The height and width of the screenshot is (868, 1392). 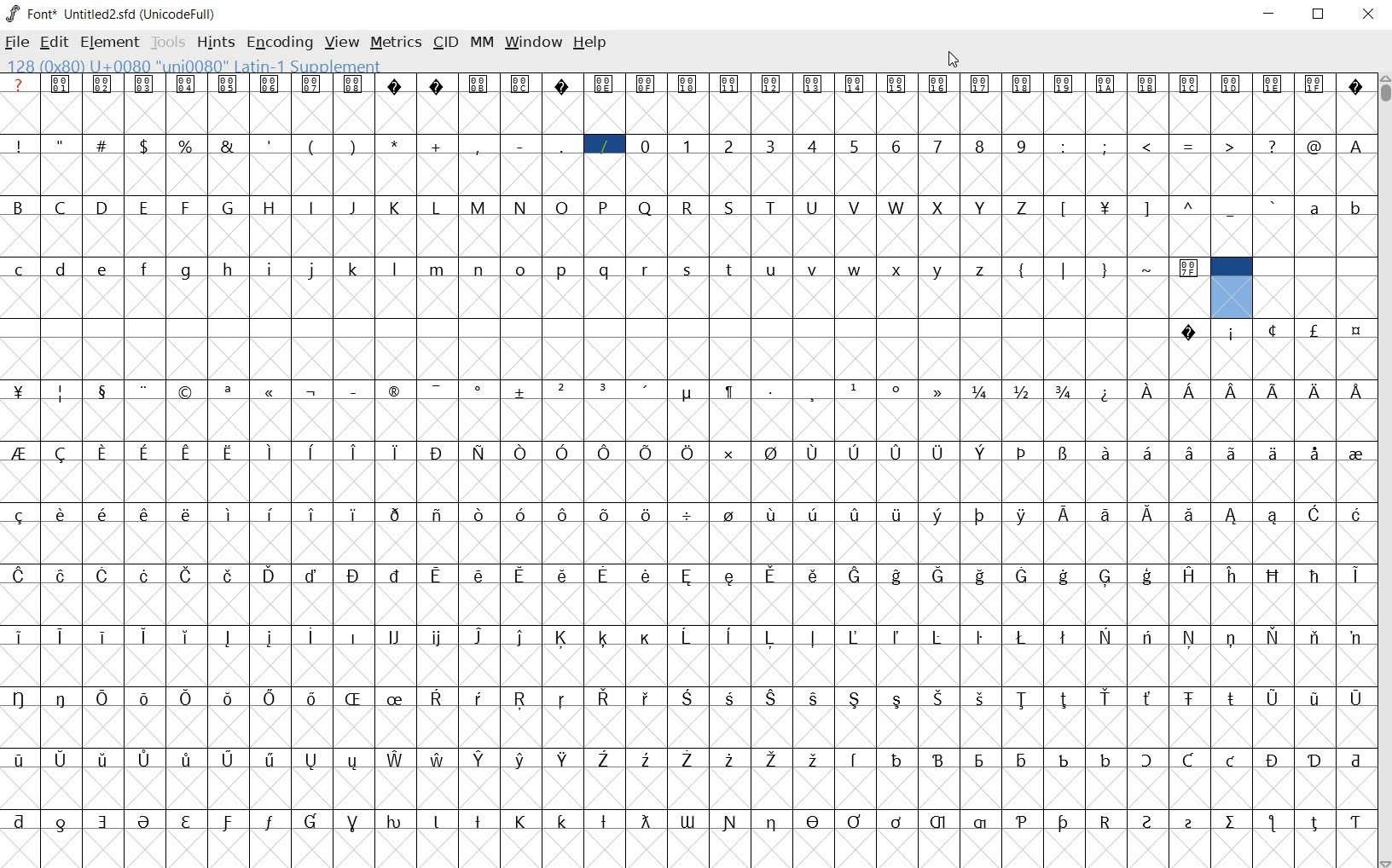 What do you see at coordinates (1105, 636) in the screenshot?
I see `Symbol` at bounding box center [1105, 636].